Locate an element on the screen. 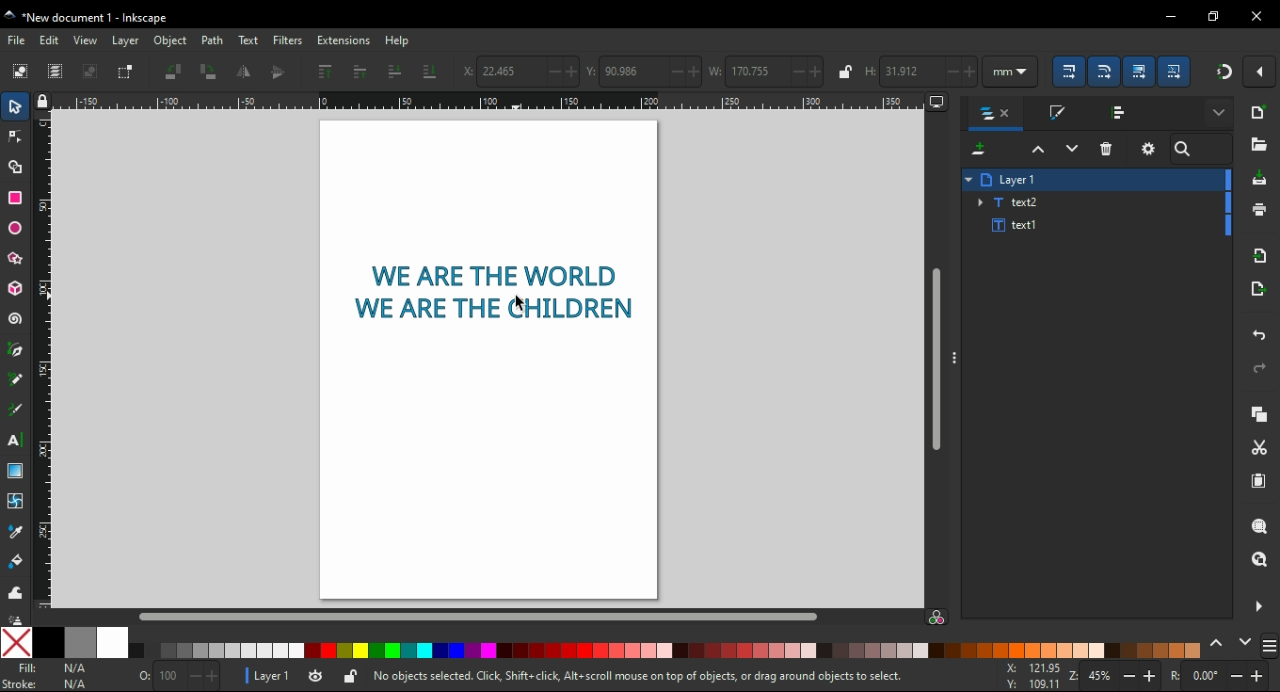  layers and objects is located at coordinates (994, 115).